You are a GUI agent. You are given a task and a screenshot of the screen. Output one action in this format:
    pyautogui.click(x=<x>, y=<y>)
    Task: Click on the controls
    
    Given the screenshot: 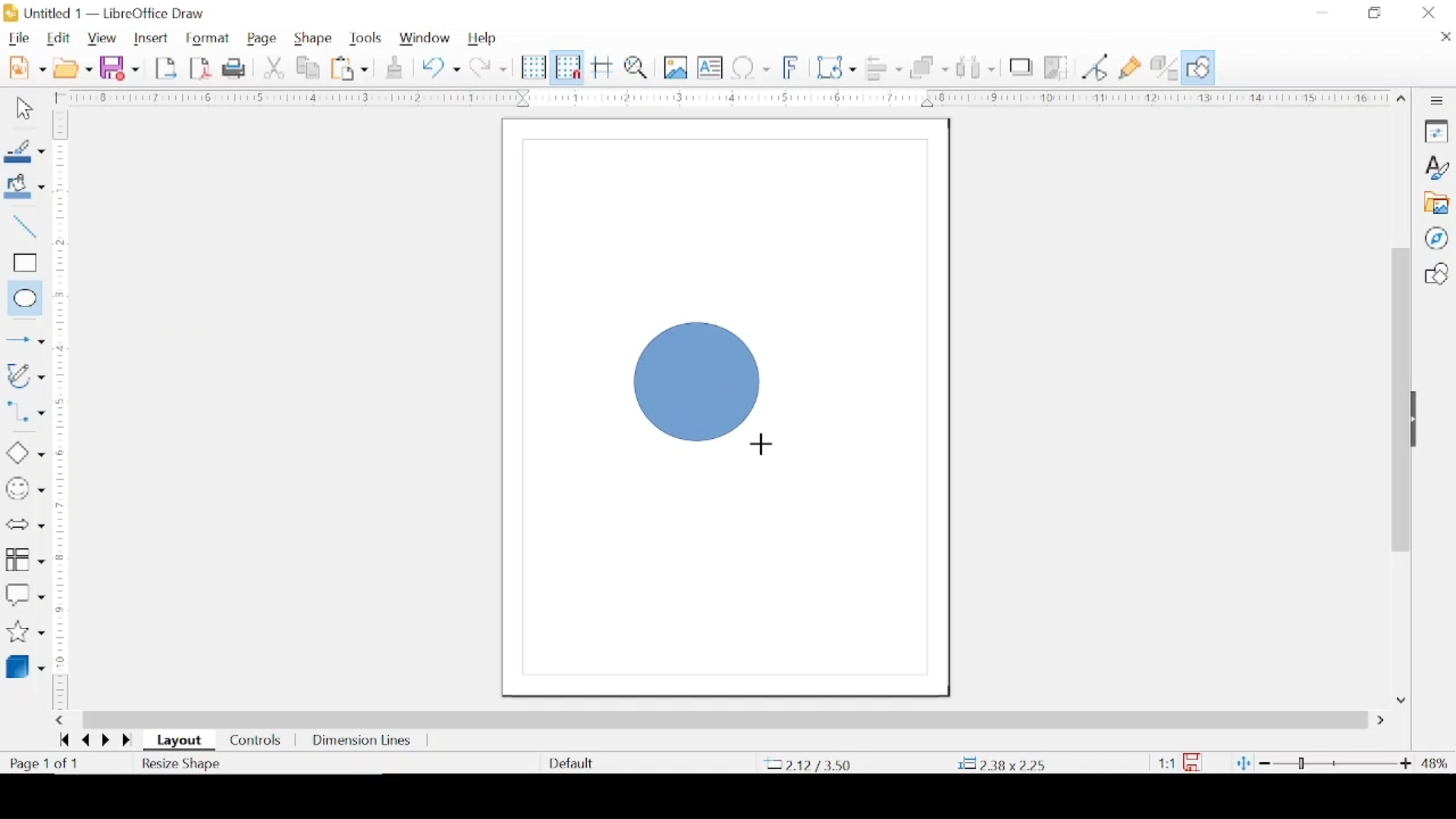 What is the action you would take?
    pyautogui.click(x=256, y=739)
    